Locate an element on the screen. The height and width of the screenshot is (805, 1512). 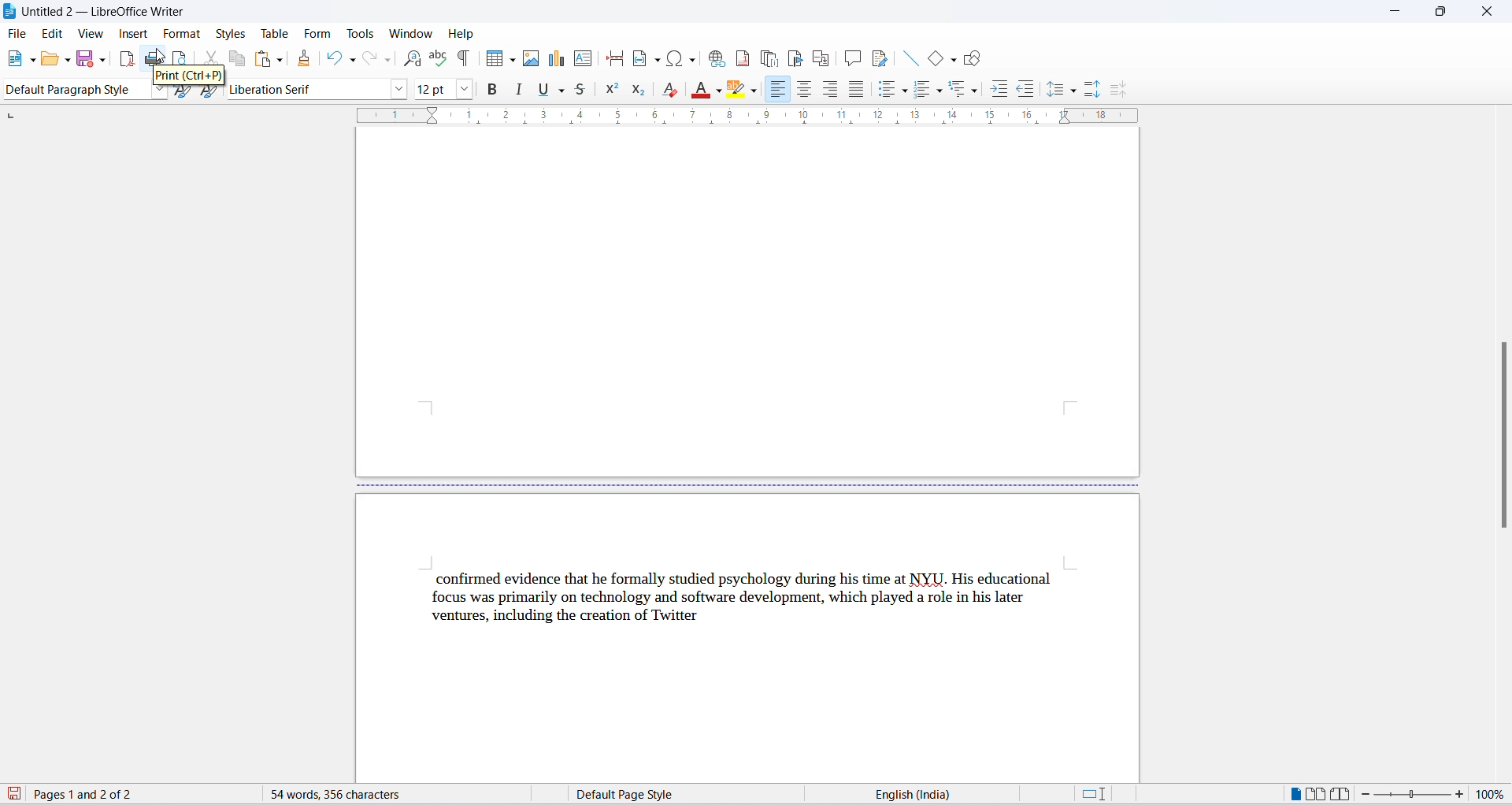
new file is located at coordinates (17, 58).